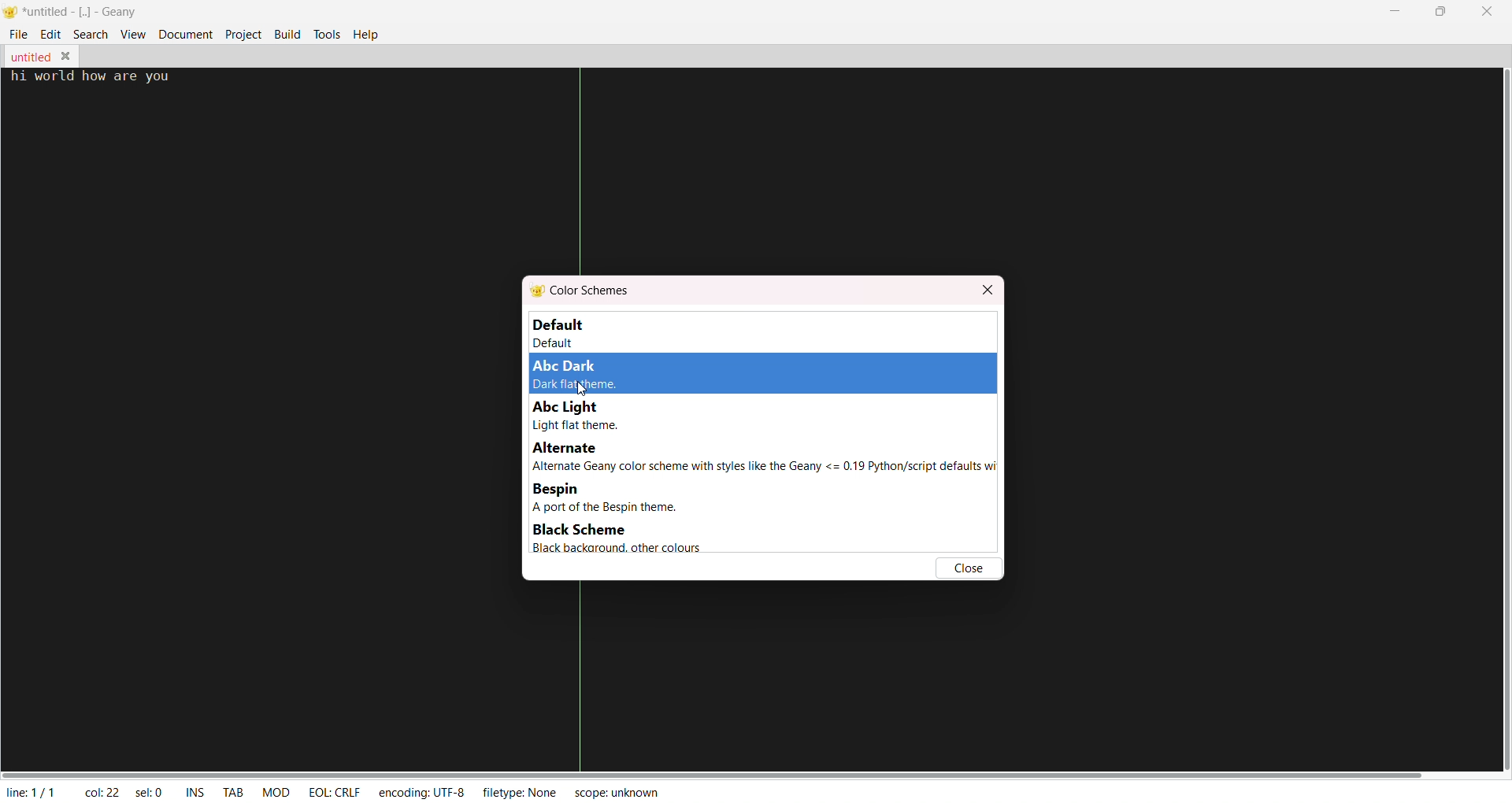  What do you see at coordinates (1488, 12) in the screenshot?
I see `close` at bounding box center [1488, 12].